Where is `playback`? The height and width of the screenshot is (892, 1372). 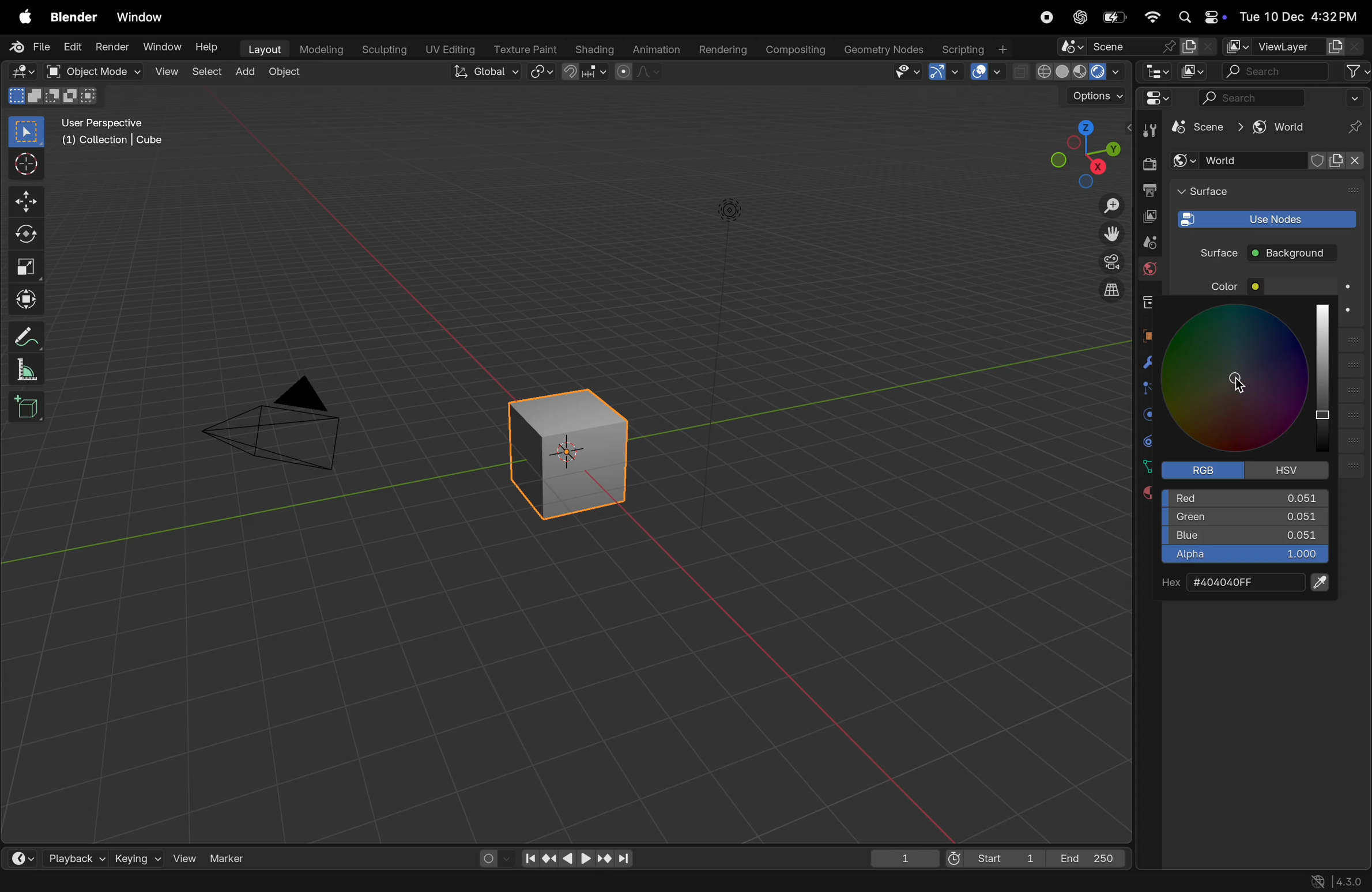 playback is located at coordinates (71, 856).